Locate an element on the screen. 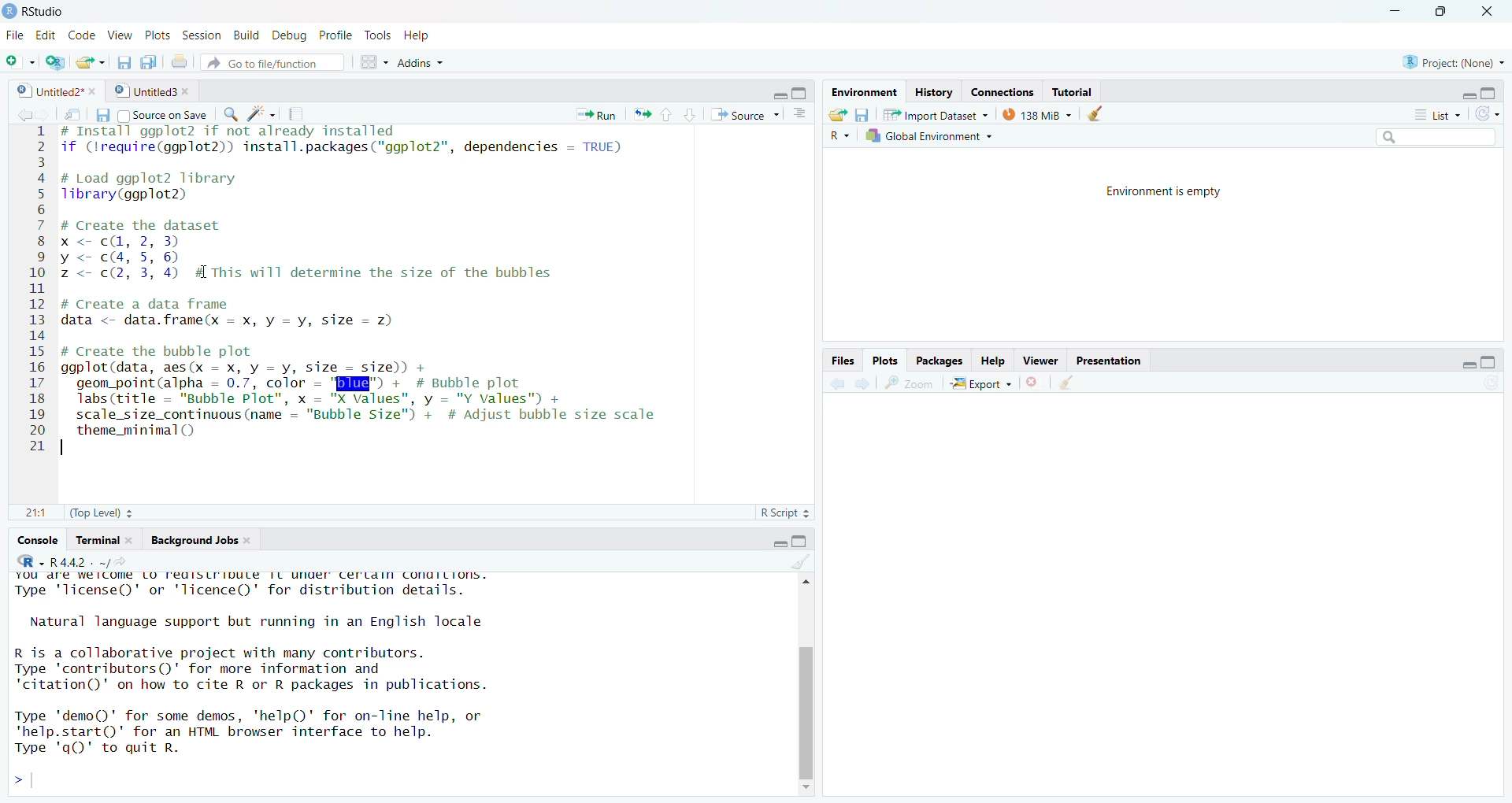  Environment is empty is located at coordinates (1163, 193).